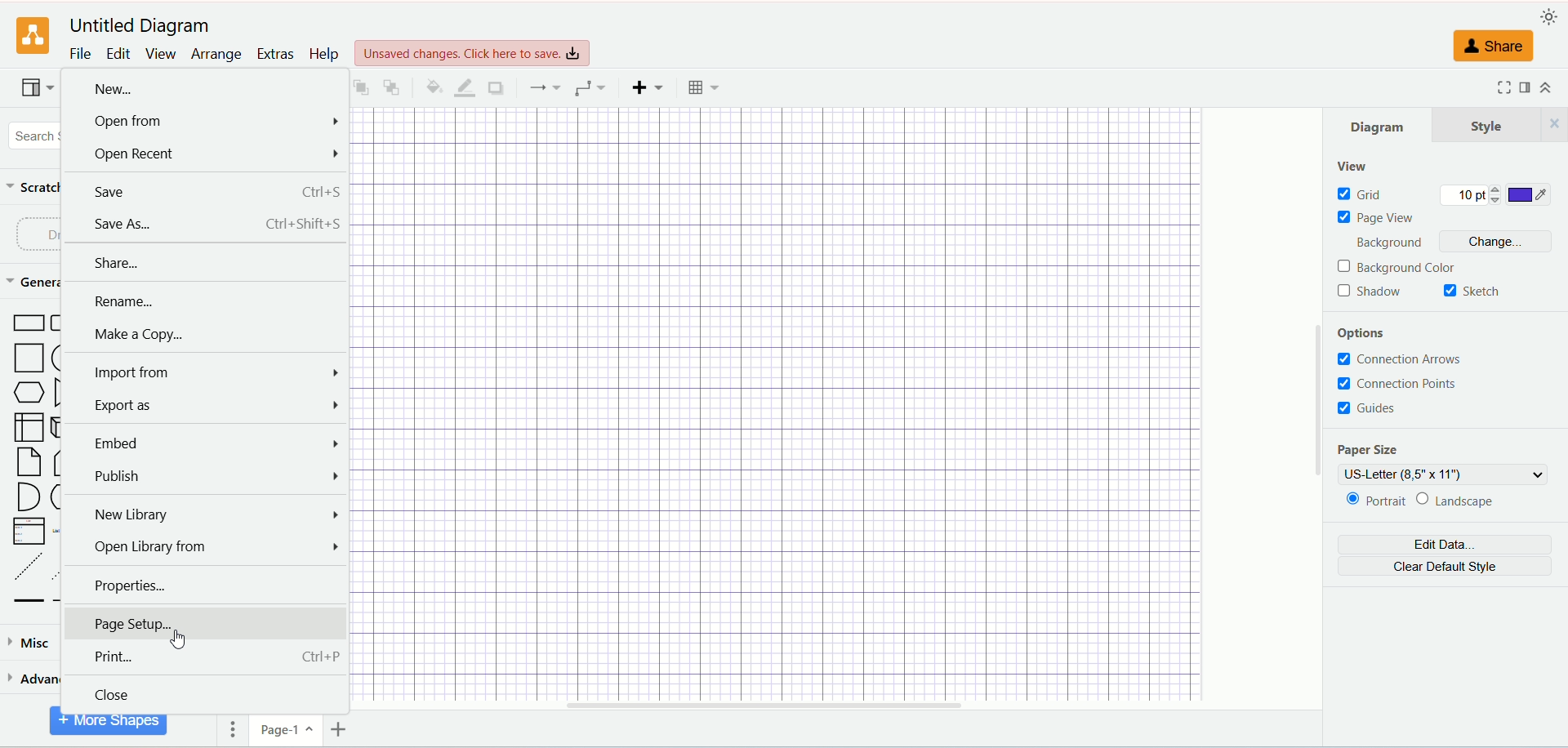 The height and width of the screenshot is (748, 1568). Describe the element at coordinates (590, 88) in the screenshot. I see `connection` at that location.